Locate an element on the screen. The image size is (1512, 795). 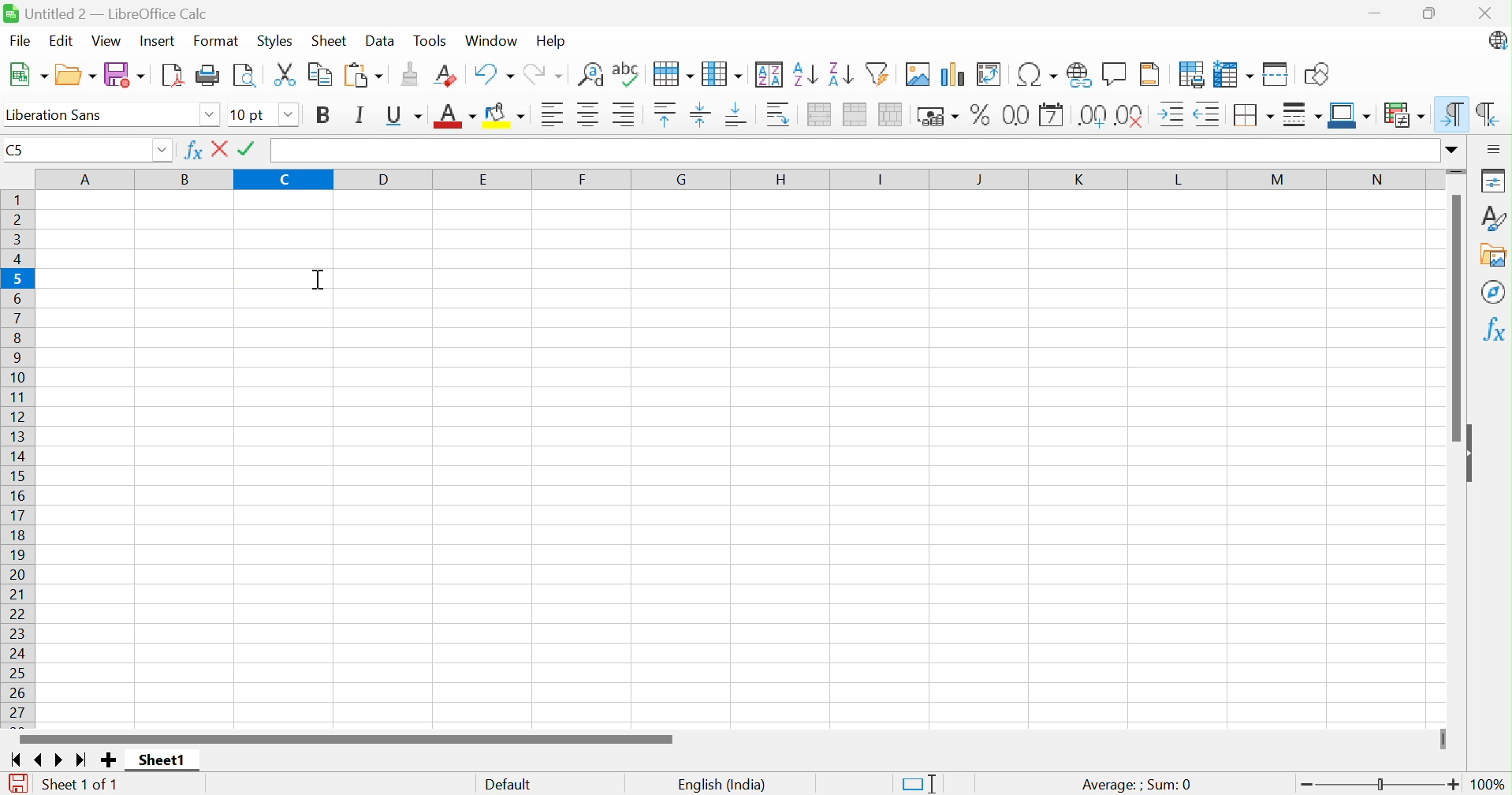
Column is located at coordinates (723, 74).